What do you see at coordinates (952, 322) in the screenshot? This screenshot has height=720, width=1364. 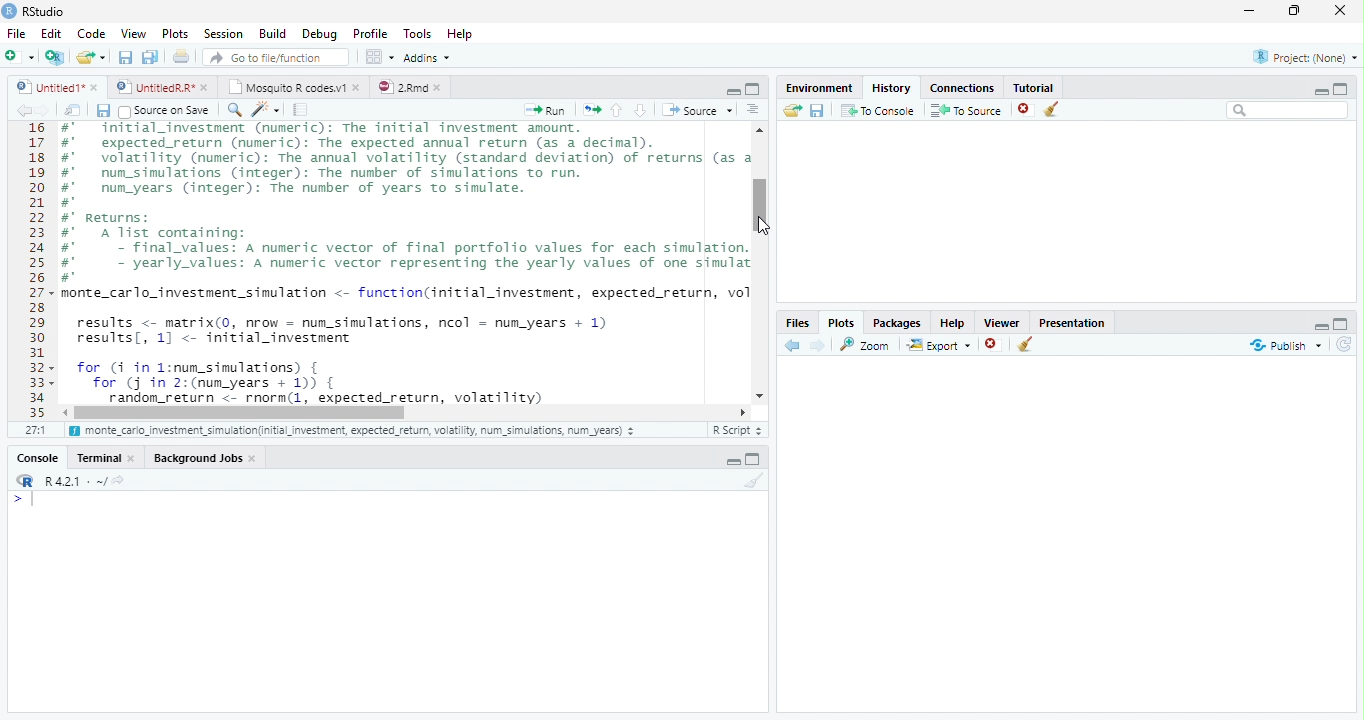 I see `Help` at bounding box center [952, 322].